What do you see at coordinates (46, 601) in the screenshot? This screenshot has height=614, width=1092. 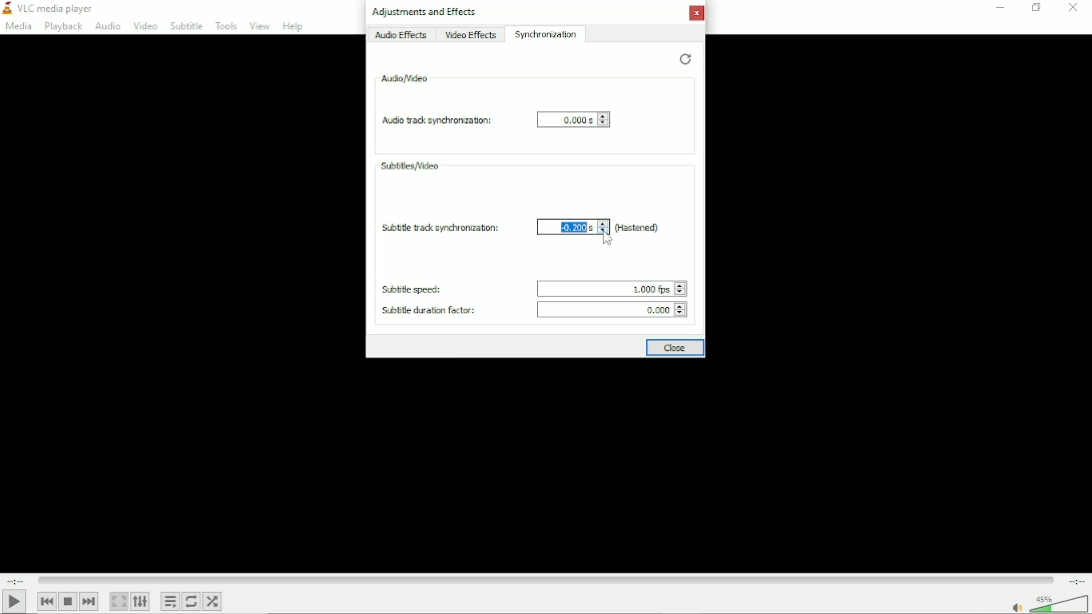 I see `Previous` at bounding box center [46, 601].